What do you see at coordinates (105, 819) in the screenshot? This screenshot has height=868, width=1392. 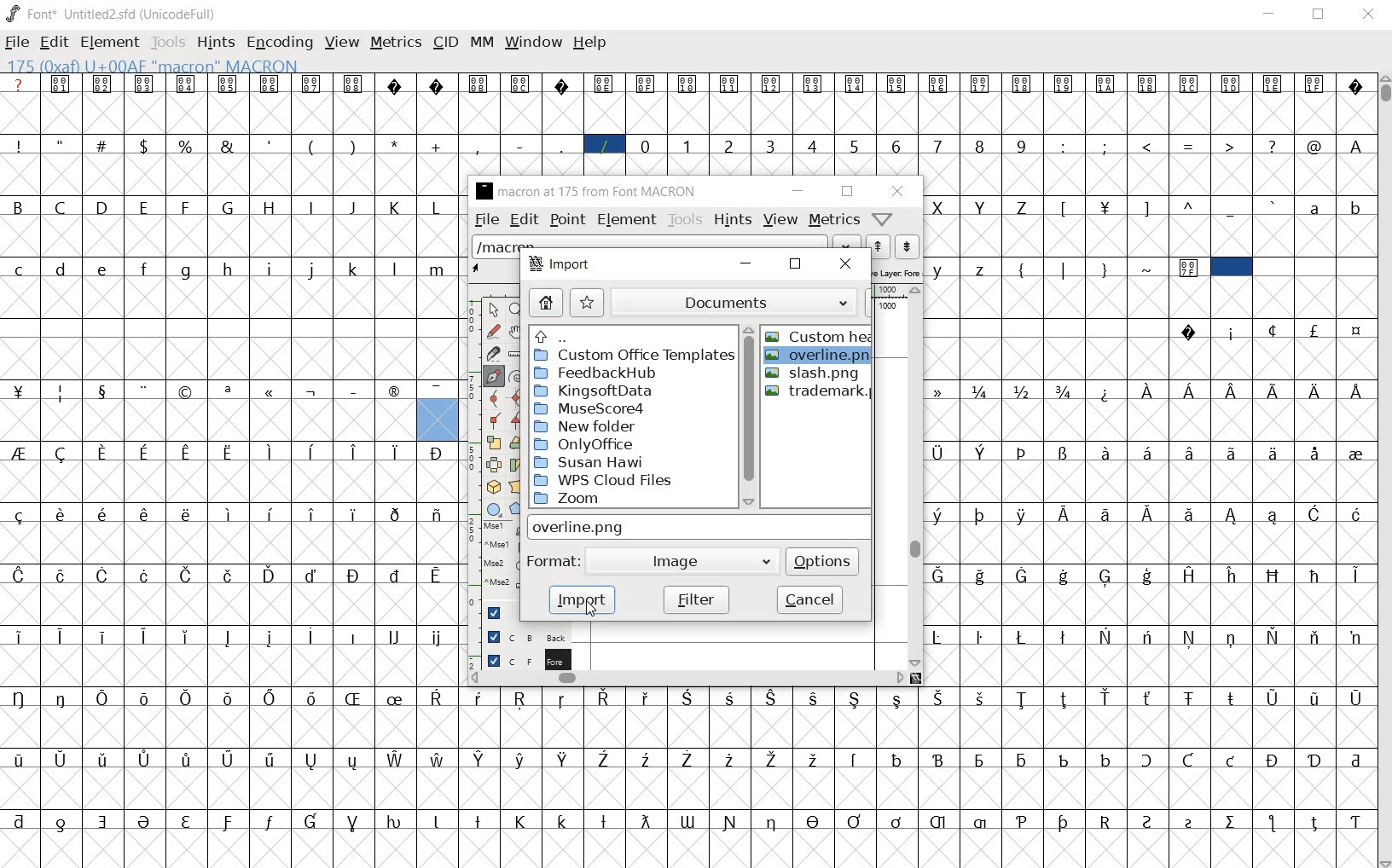 I see `Symbol` at bounding box center [105, 819].